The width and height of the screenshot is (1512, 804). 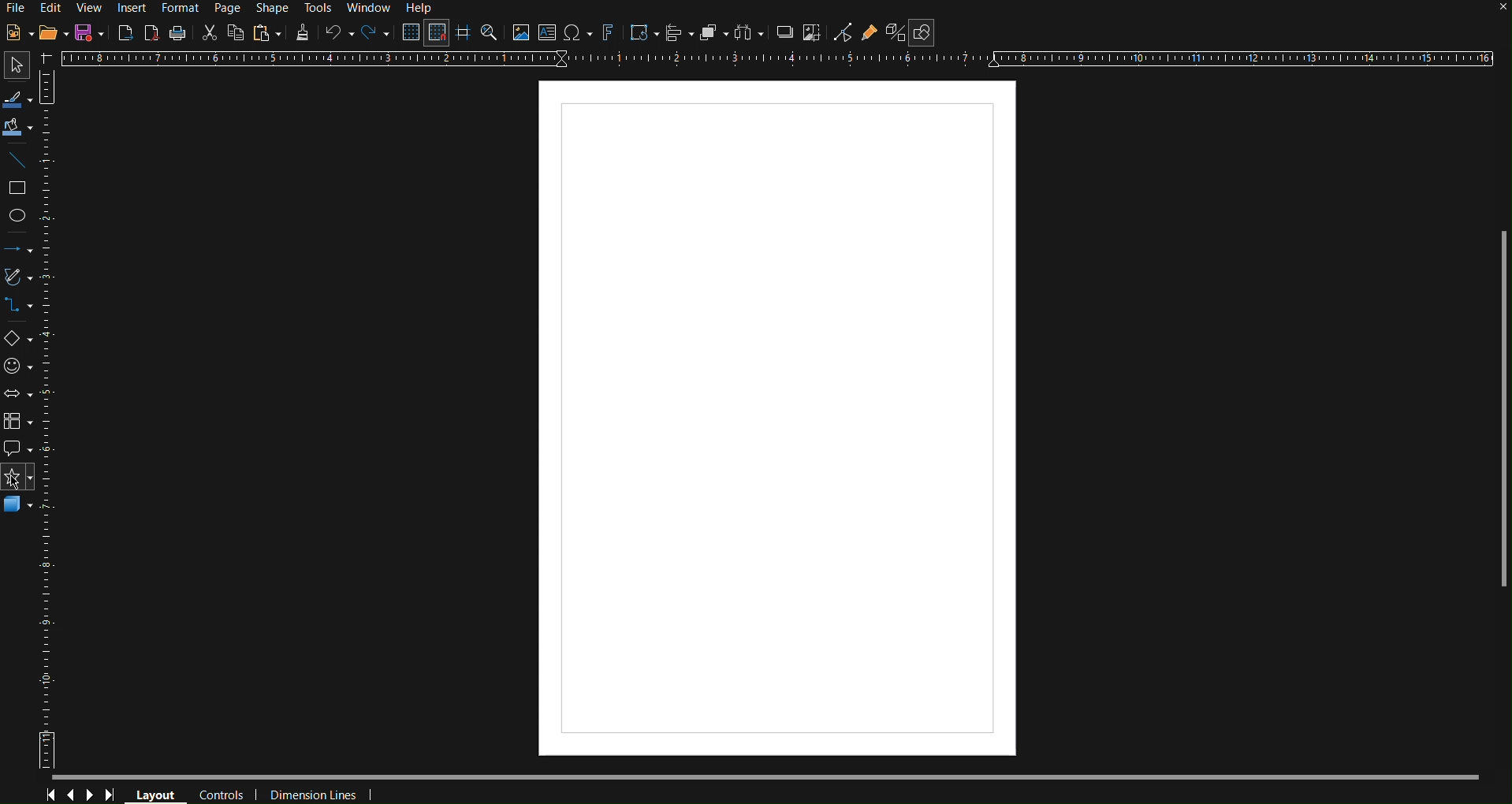 What do you see at coordinates (923, 32) in the screenshot?
I see `Show Basic Shapes` at bounding box center [923, 32].